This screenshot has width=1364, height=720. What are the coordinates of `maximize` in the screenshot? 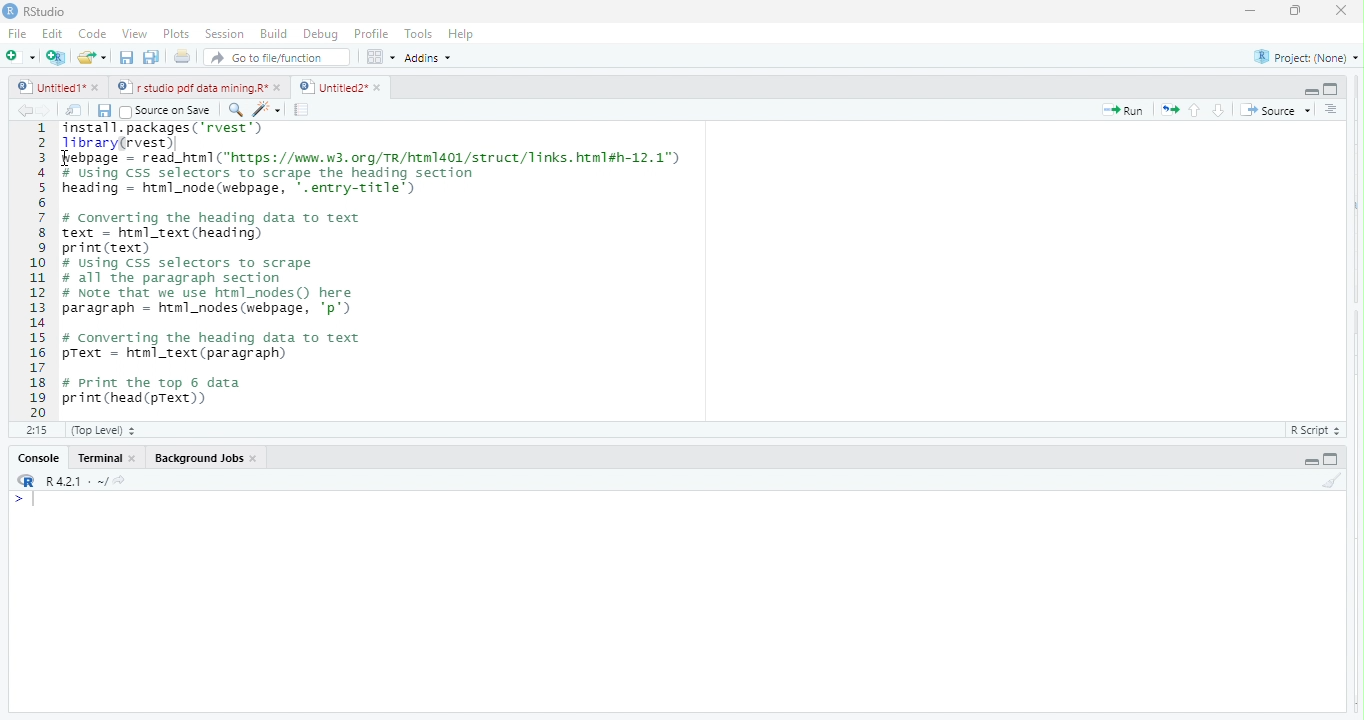 It's located at (1248, 13).